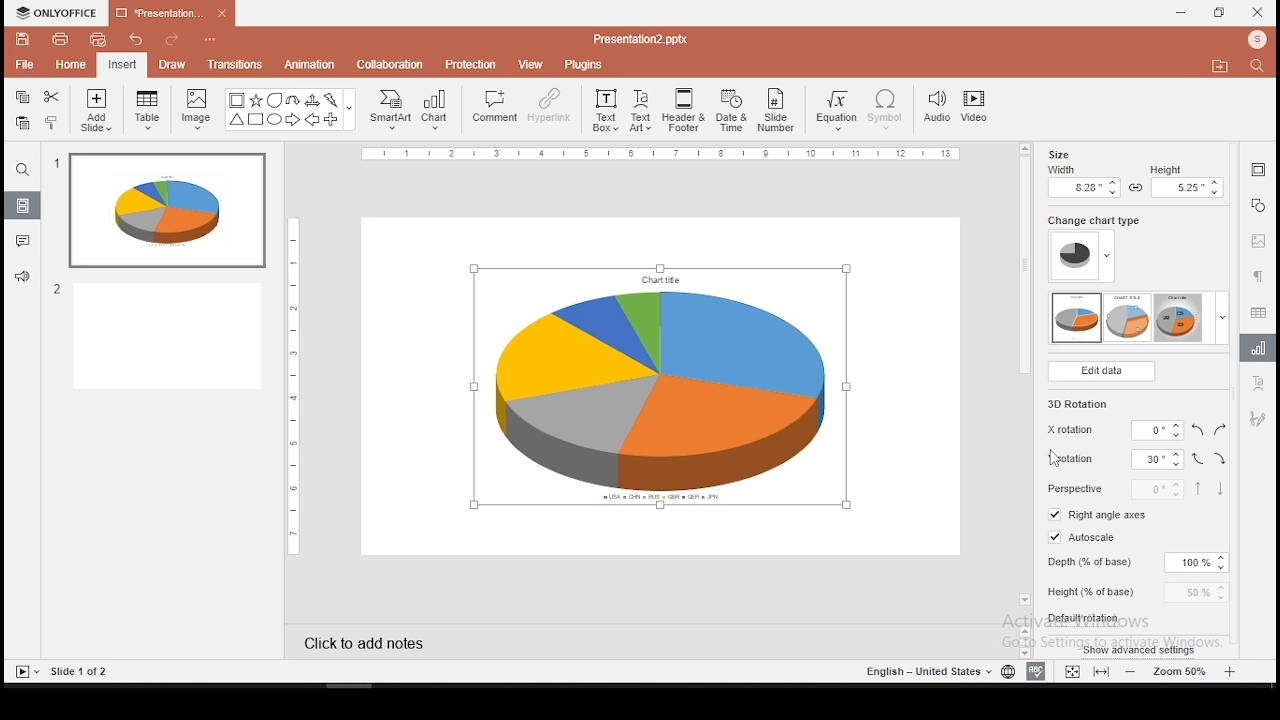 The height and width of the screenshot is (720, 1280). What do you see at coordinates (100, 39) in the screenshot?
I see `quick print` at bounding box center [100, 39].